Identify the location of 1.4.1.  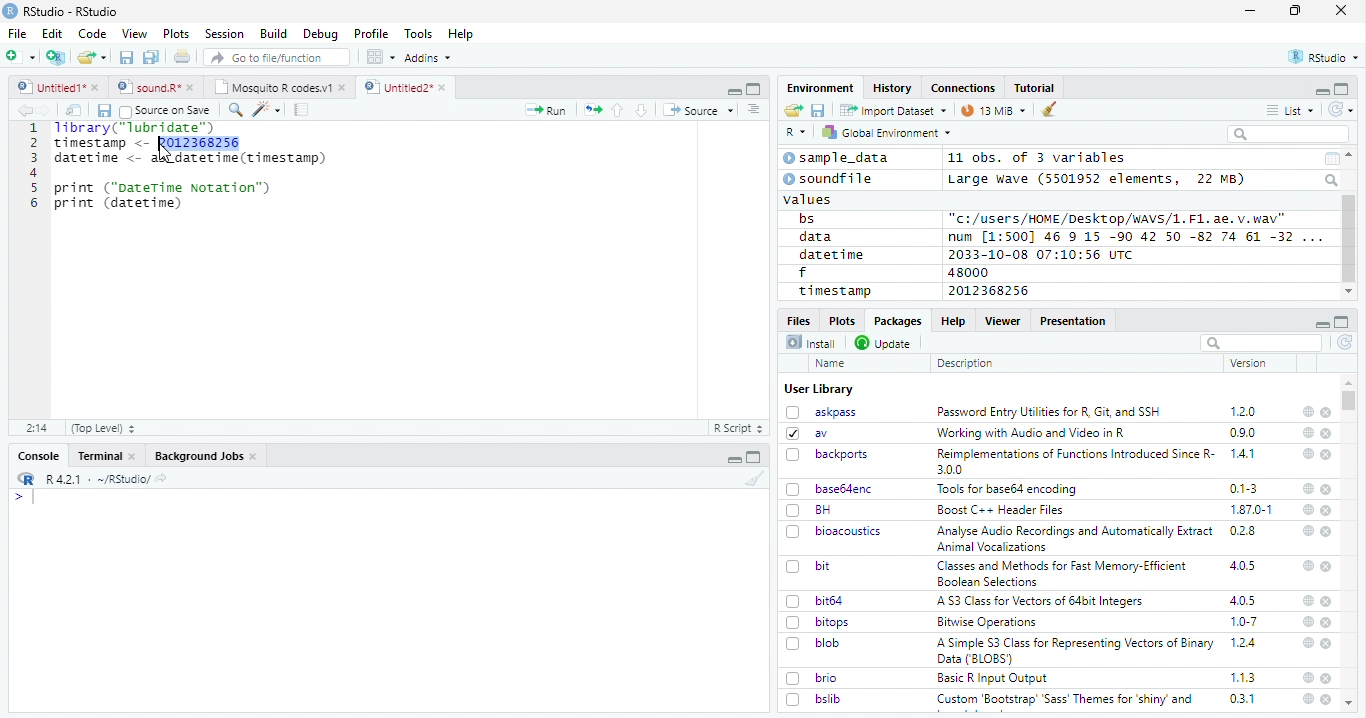
(1244, 453).